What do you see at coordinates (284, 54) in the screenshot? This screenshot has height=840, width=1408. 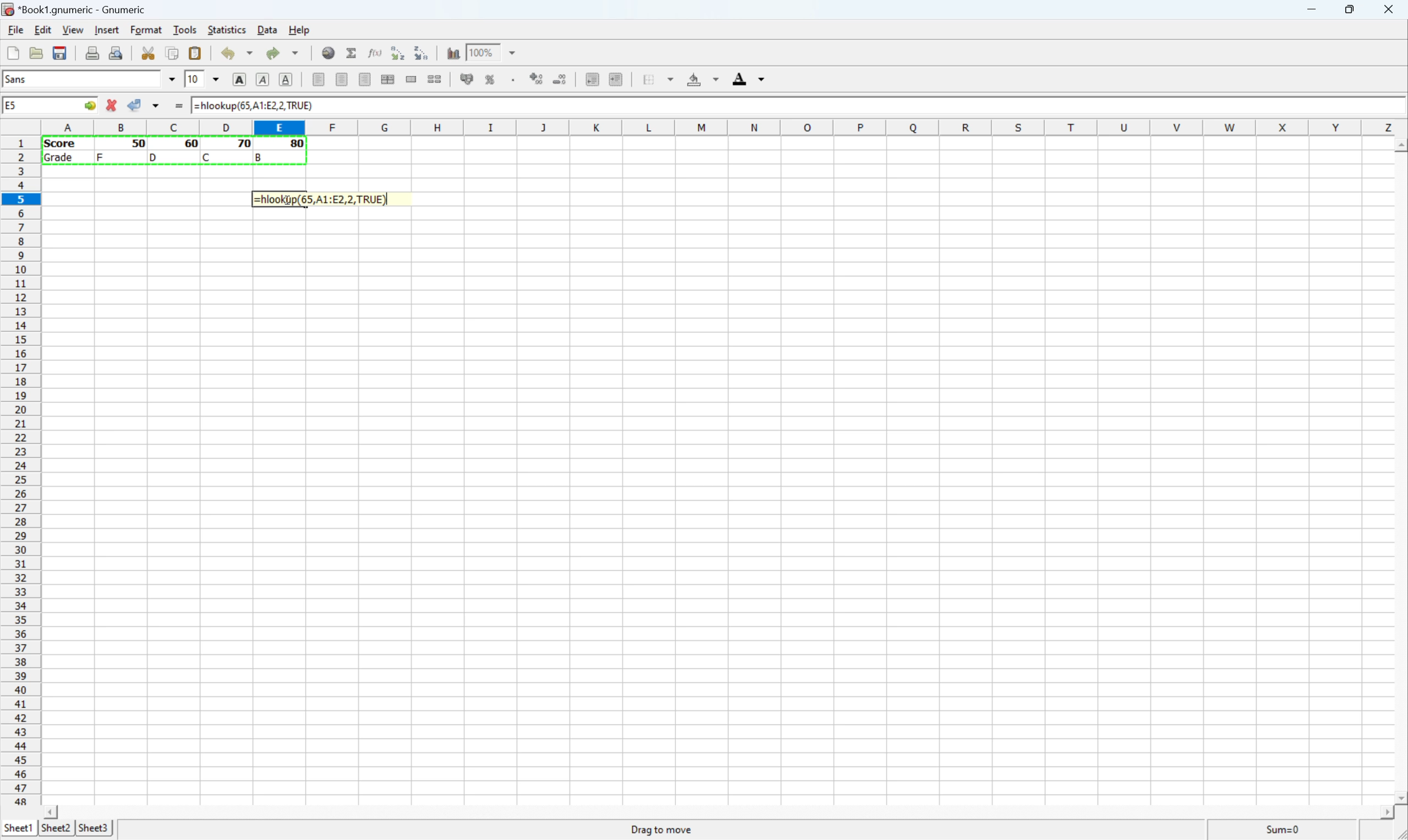 I see `Redo` at bounding box center [284, 54].